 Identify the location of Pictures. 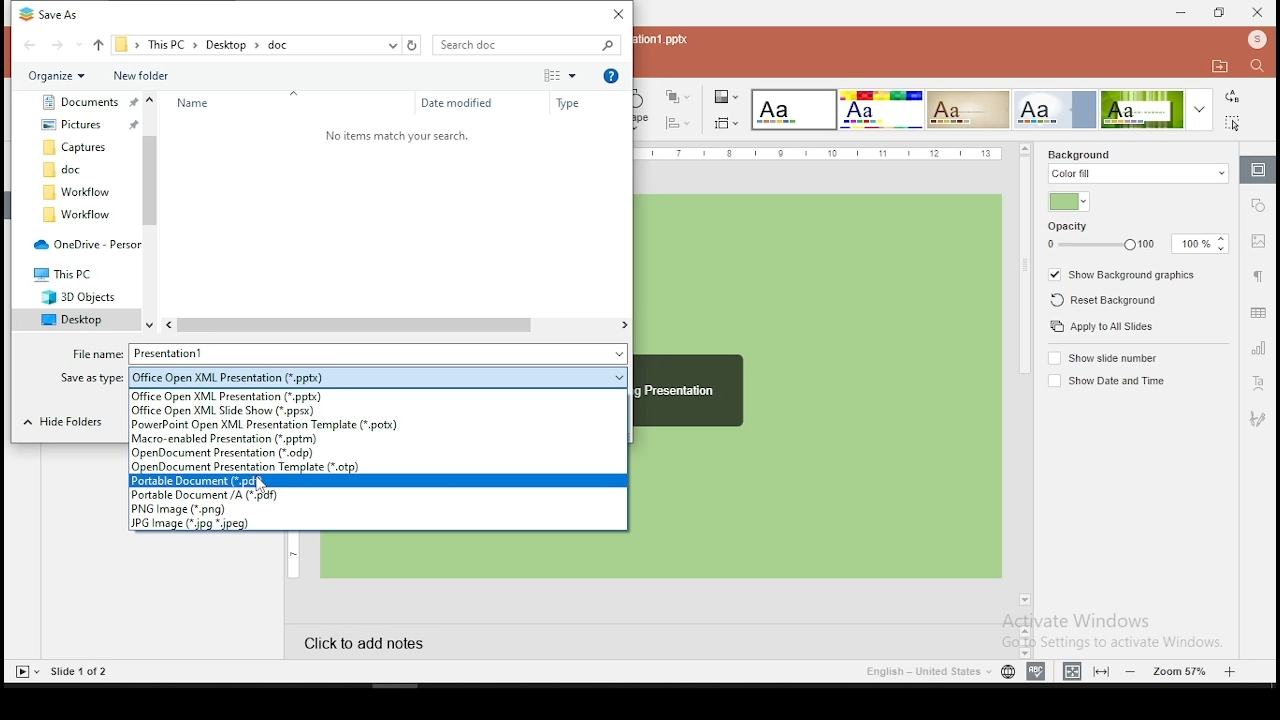
(87, 122).